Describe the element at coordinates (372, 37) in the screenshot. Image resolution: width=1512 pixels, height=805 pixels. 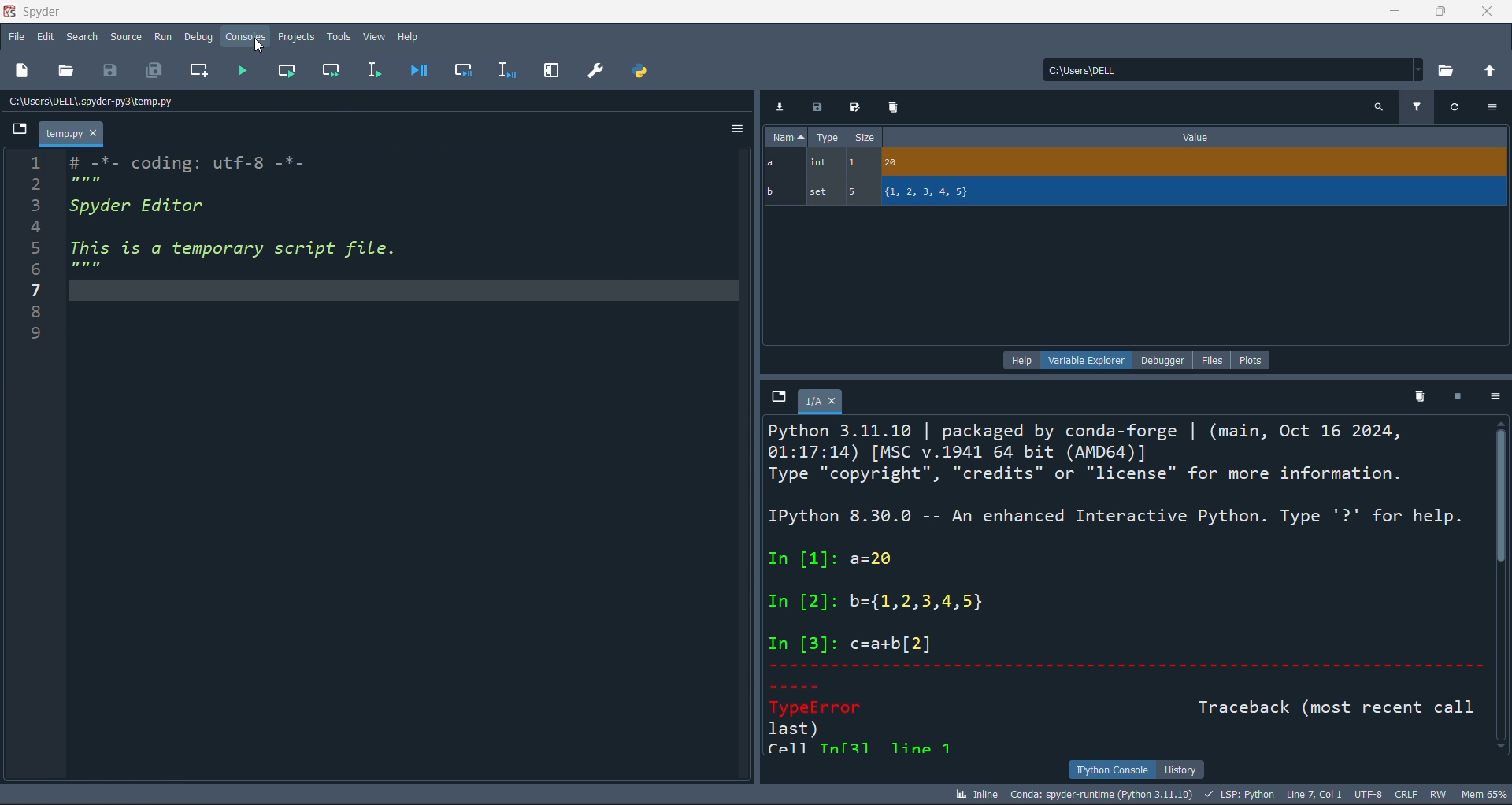
I see `View` at that location.